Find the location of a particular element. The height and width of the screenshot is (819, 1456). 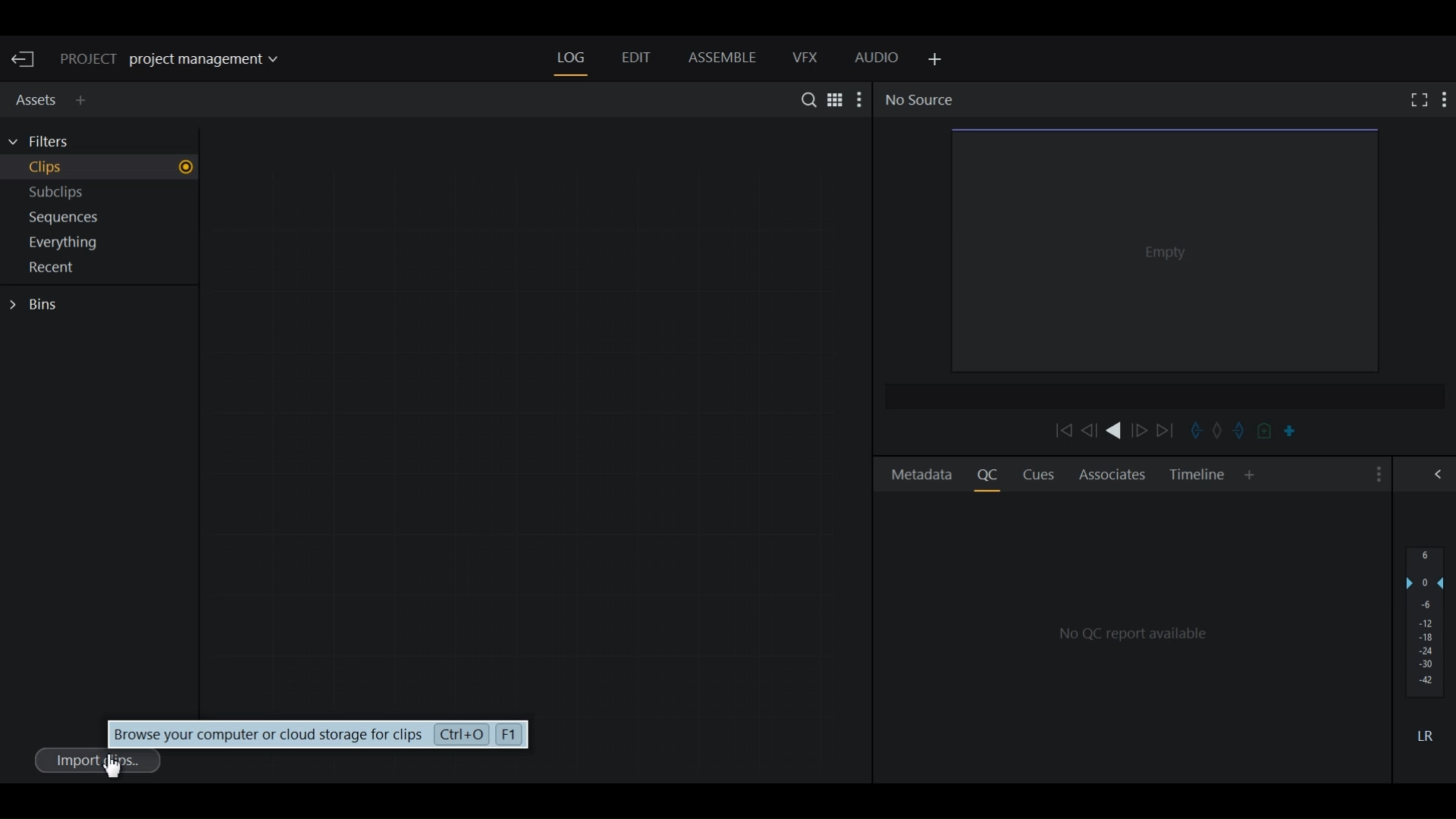

Assets is located at coordinates (33, 98).